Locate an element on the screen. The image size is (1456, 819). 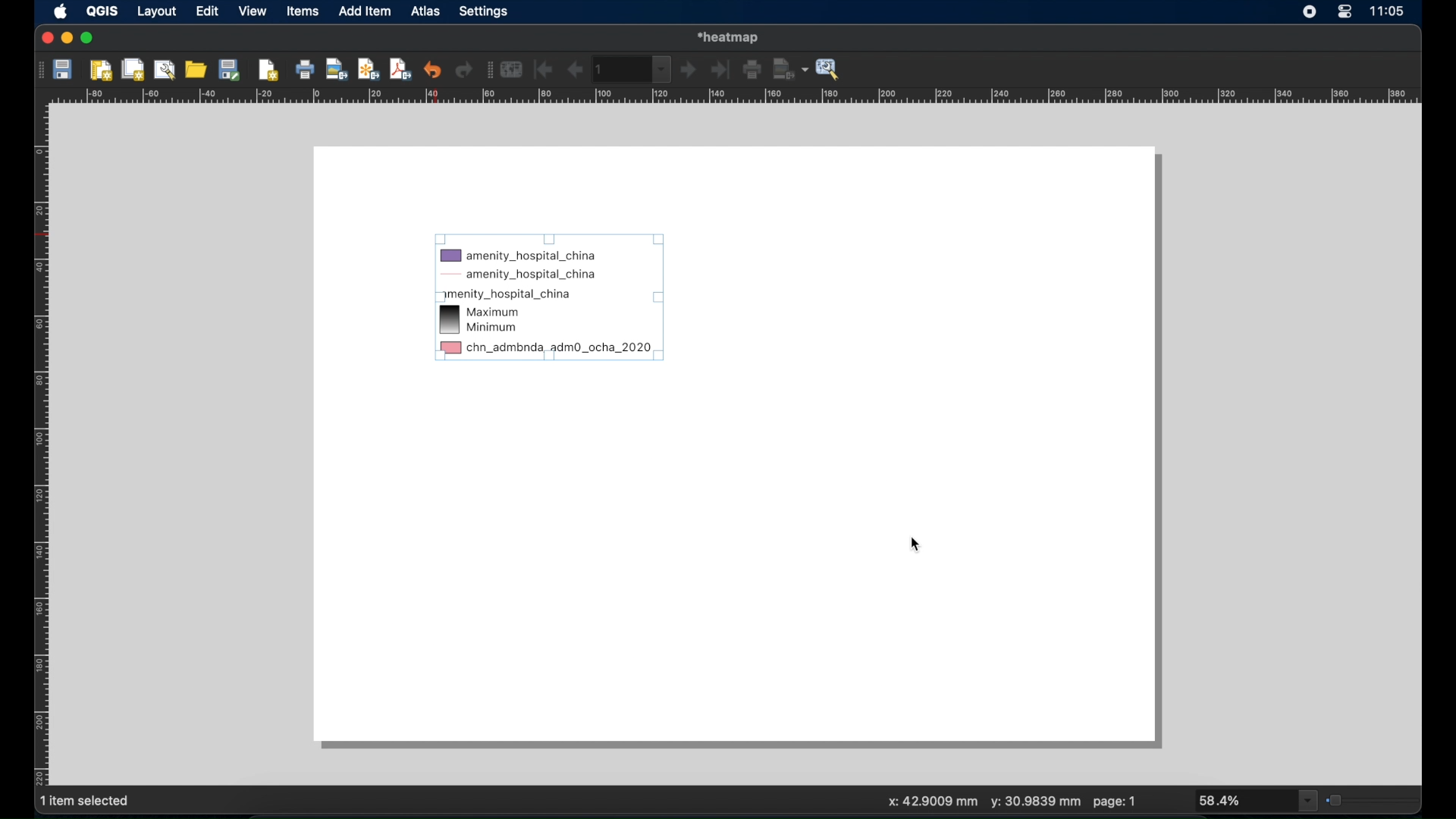
x: mm is located at coordinates (928, 803).